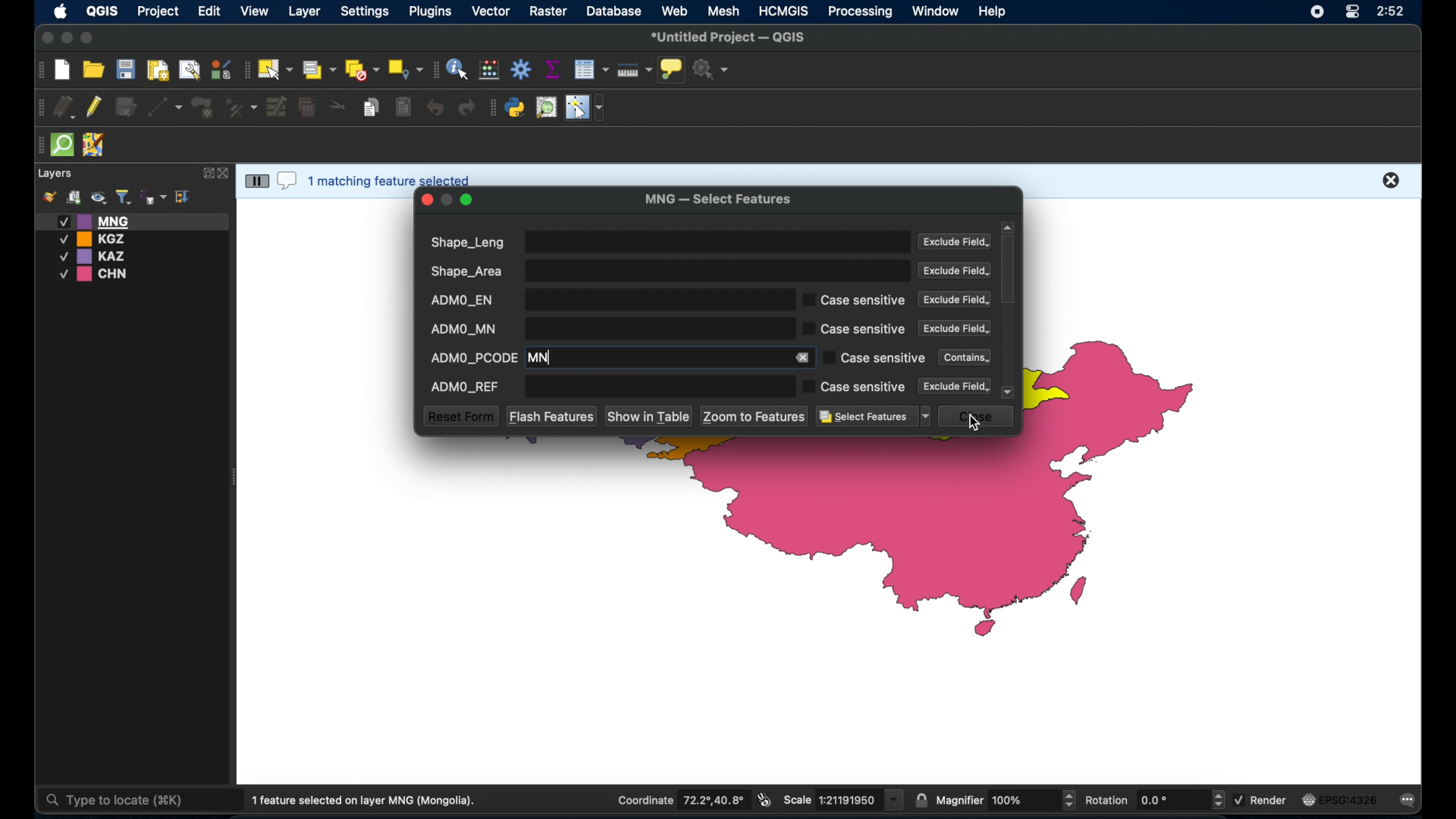  What do you see at coordinates (157, 69) in the screenshot?
I see `print layout` at bounding box center [157, 69].